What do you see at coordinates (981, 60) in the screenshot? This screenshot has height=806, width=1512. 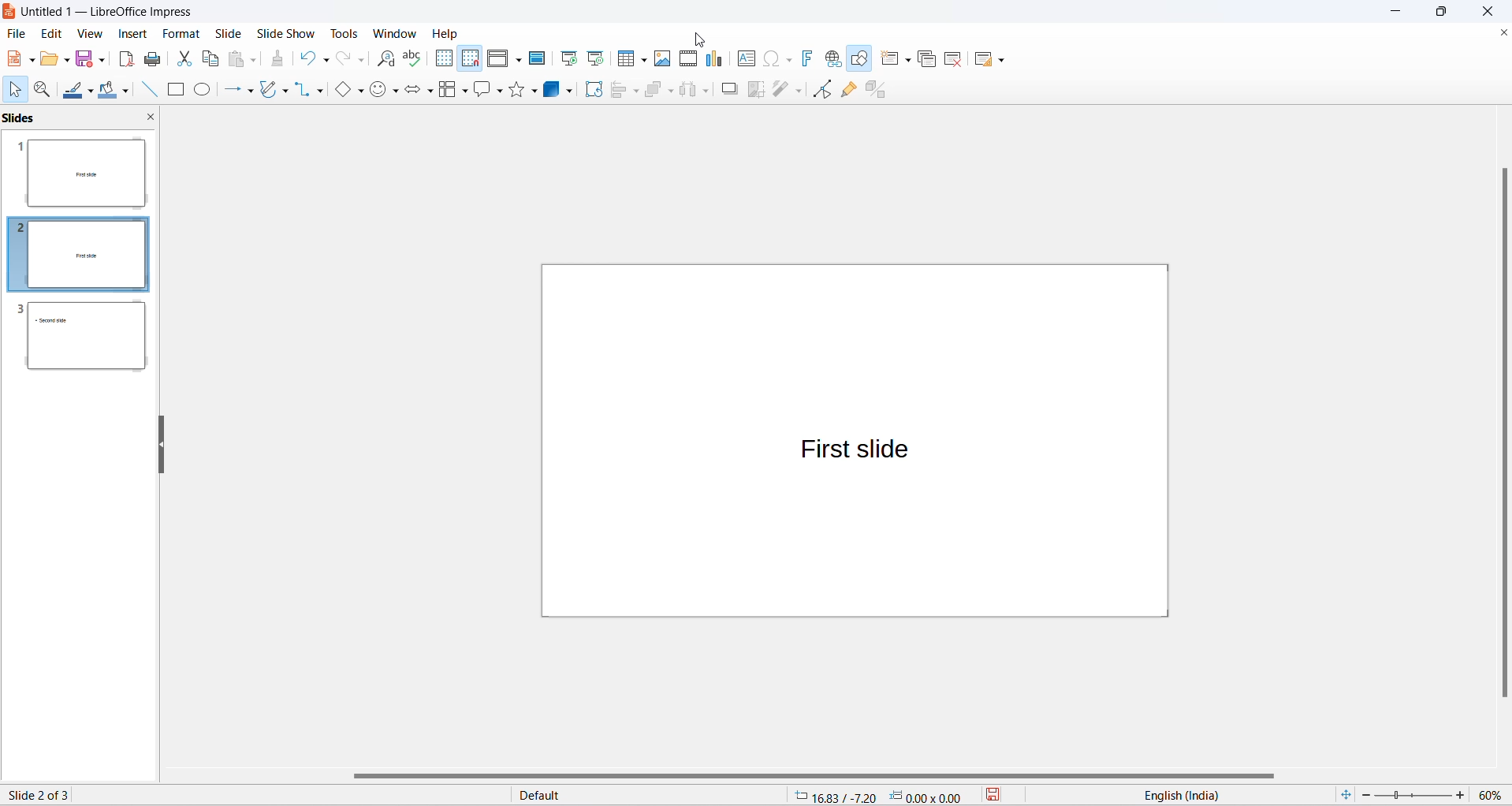 I see `slide layout` at bounding box center [981, 60].